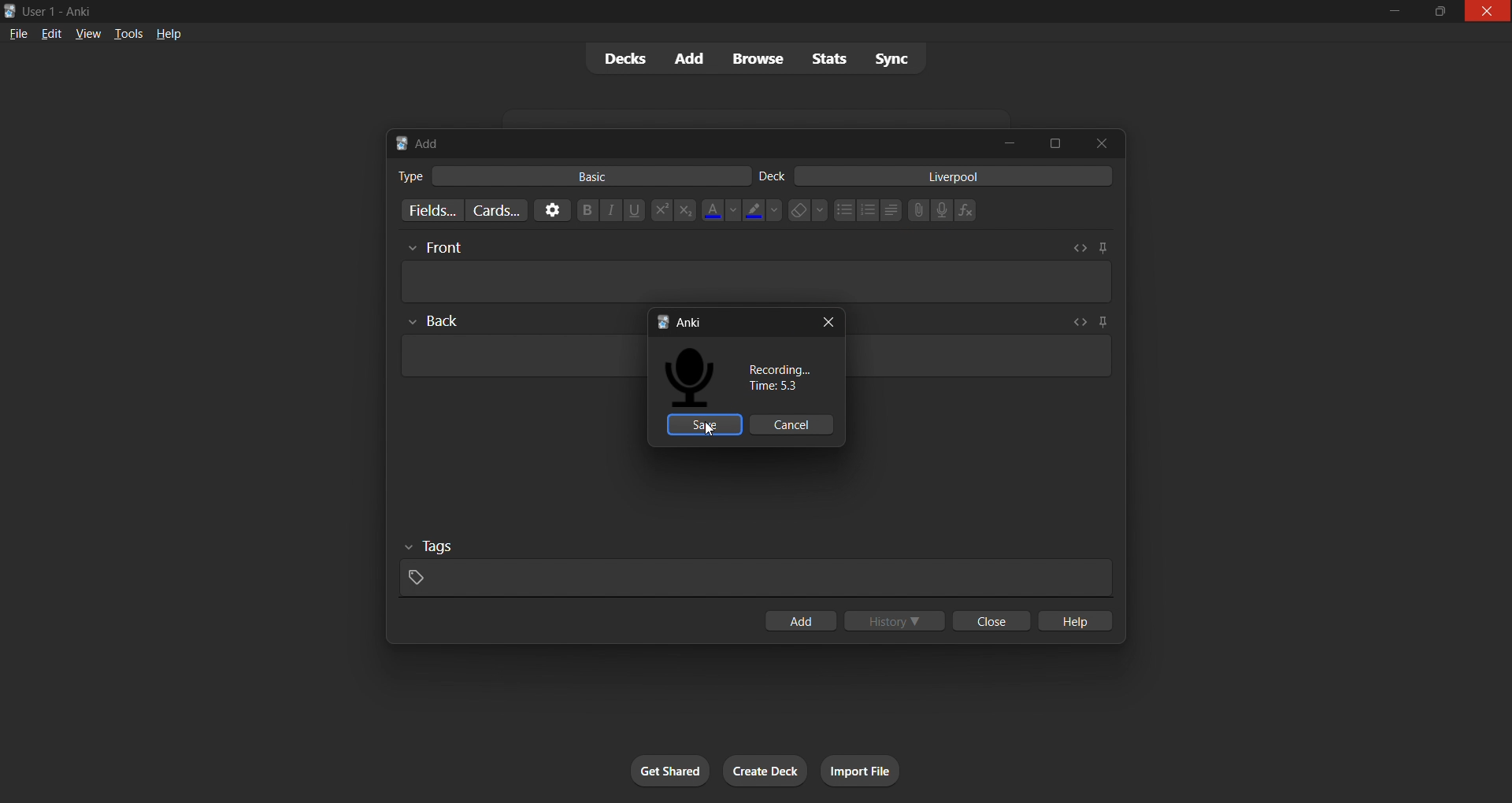 The width and height of the screenshot is (1512, 803). What do you see at coordinates (89, 35) in the screenshot?
I see `view` at bounding box center [89, 35].